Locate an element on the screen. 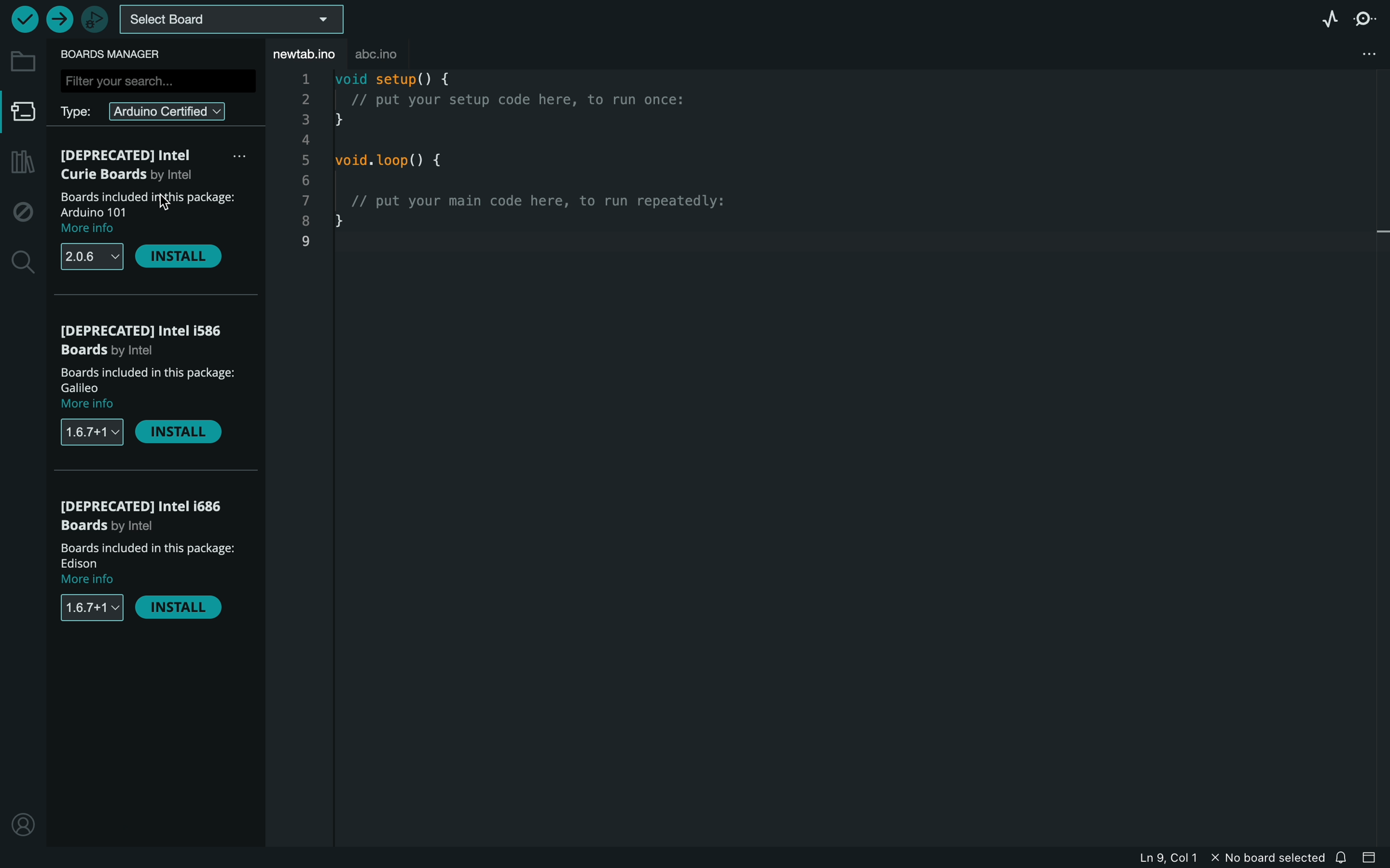 The image size is (1390, 868). abc .ino is located at coordinates (389, 51).